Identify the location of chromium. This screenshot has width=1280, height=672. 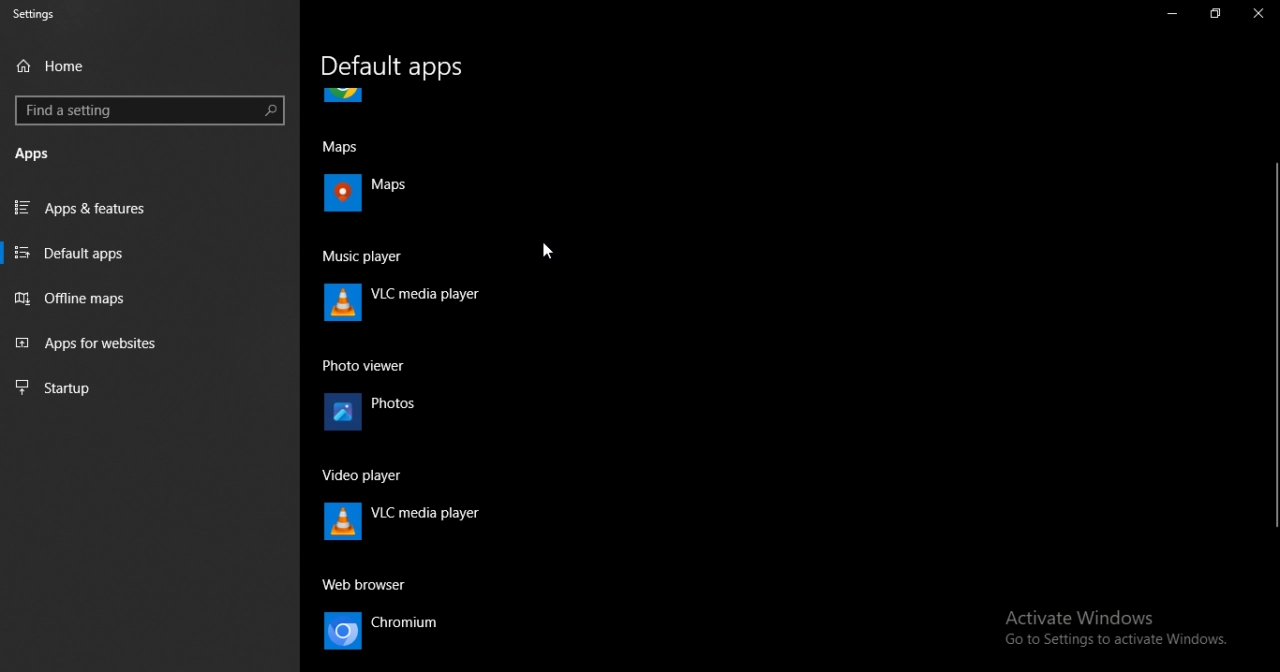
(386, 632).